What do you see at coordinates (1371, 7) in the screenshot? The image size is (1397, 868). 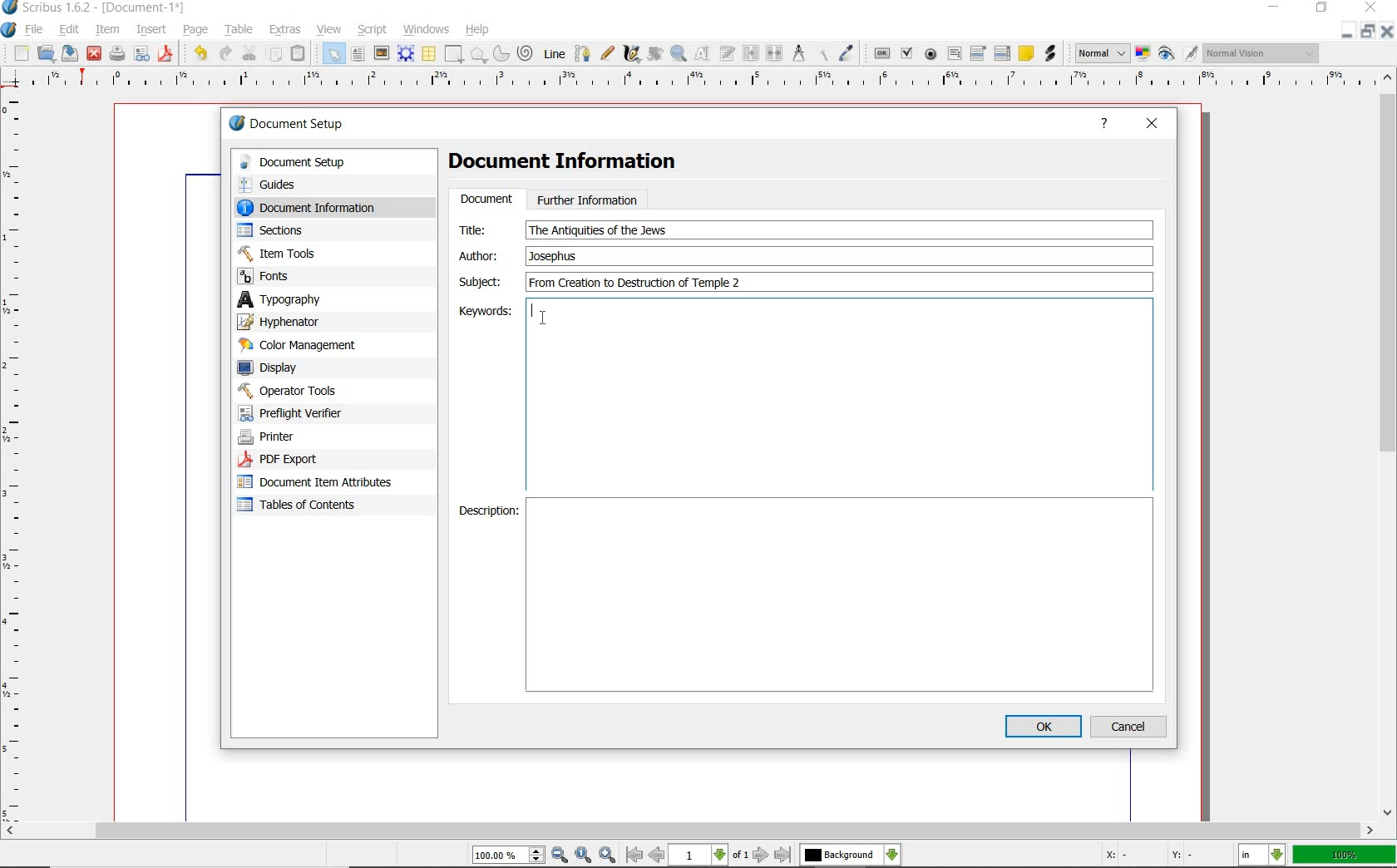 I see `close` at bounding box center [1371, 7].